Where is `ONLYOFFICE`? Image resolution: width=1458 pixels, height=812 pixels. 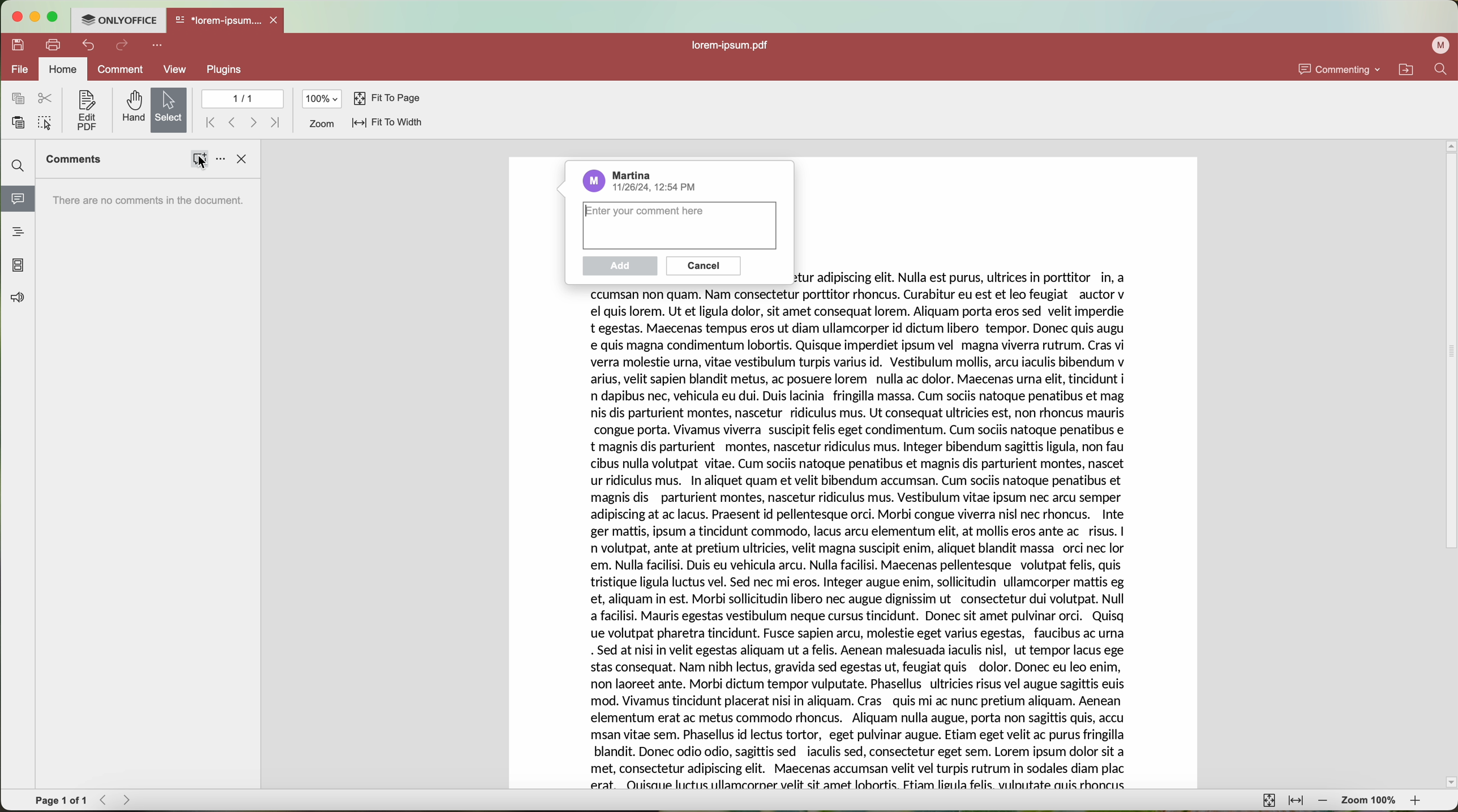
ONLYOFFICE is located at coordinates (118, 20).